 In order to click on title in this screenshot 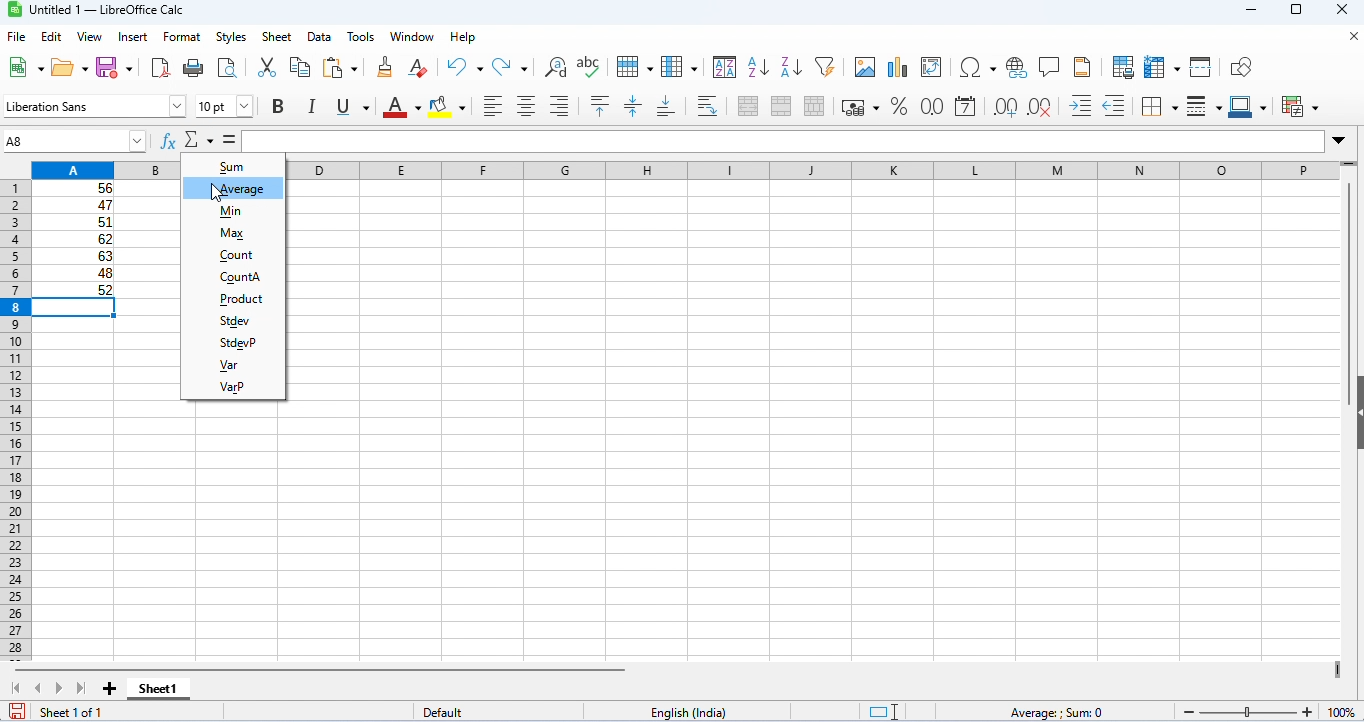, I will do `click(101, 10)`.